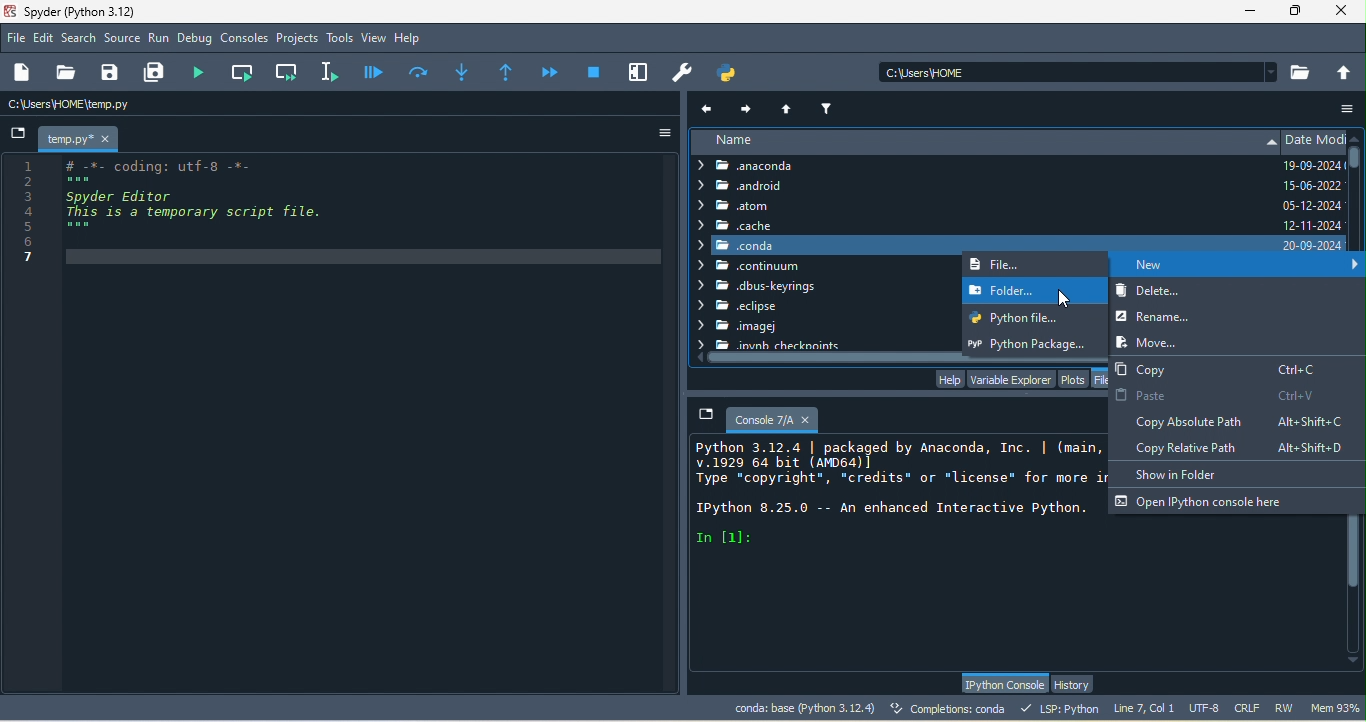  I want to click on maximize, so click(1297, 11).